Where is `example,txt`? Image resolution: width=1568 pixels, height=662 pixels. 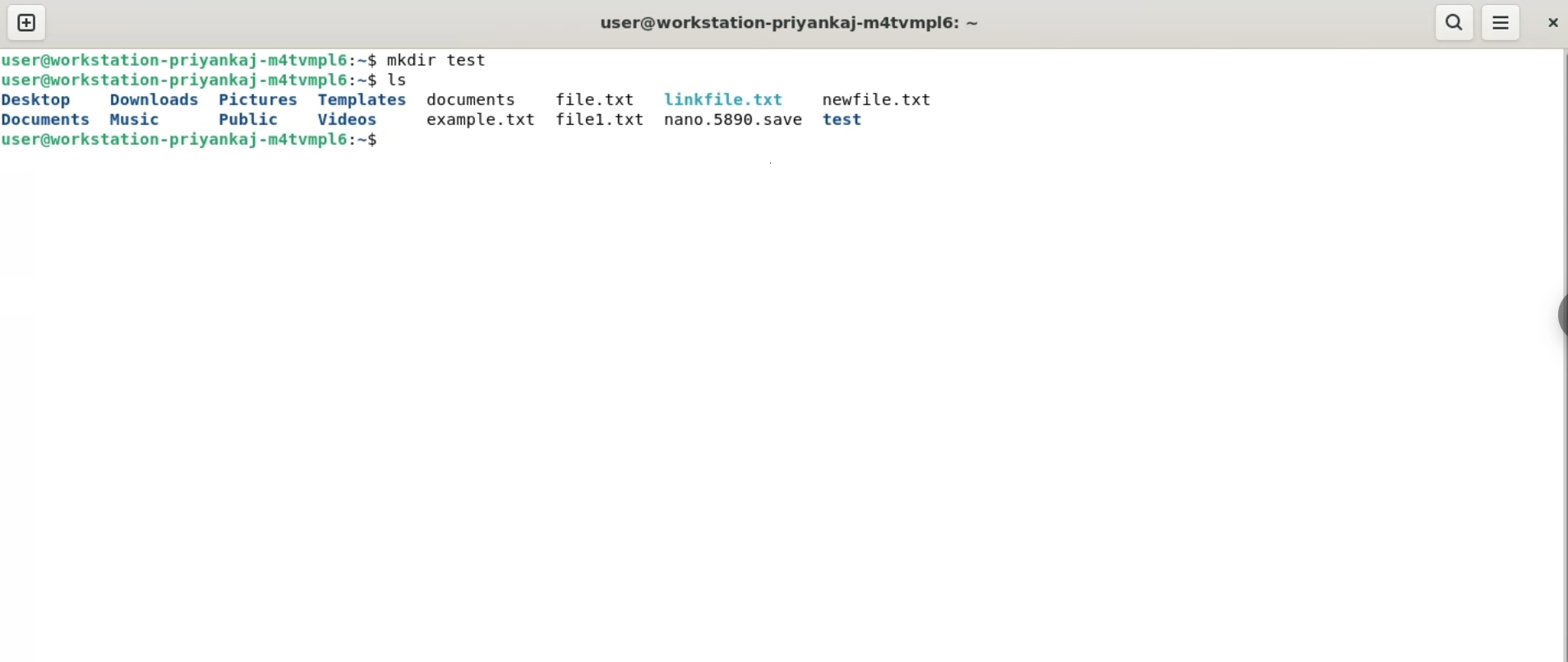 example,txt is located at coordinates (476, 121).